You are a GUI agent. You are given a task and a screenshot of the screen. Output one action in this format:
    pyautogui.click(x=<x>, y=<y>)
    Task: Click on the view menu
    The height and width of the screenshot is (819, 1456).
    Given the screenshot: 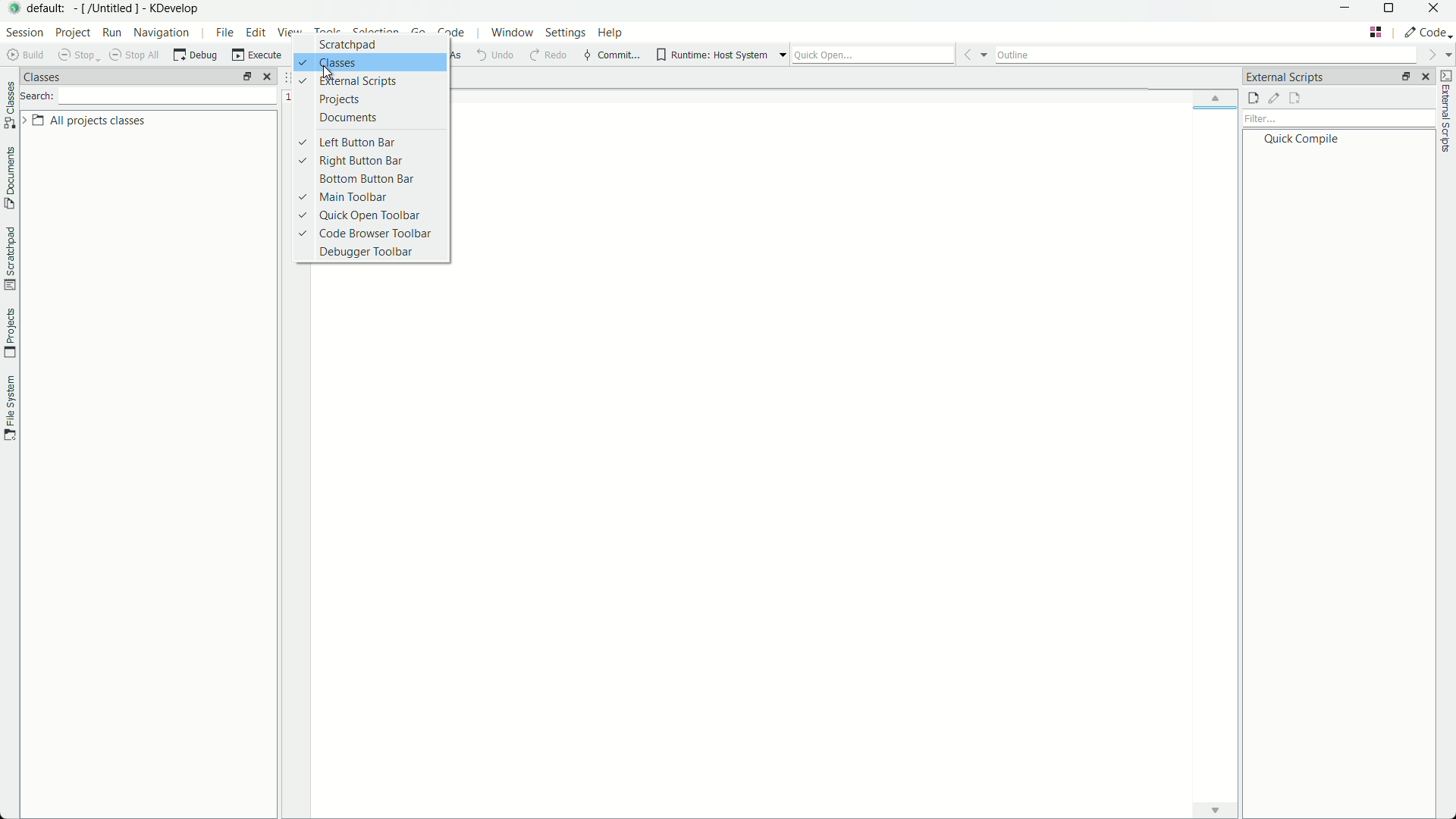 What is the action you would take?
    pyautogui.click(x=287, y=31)
    